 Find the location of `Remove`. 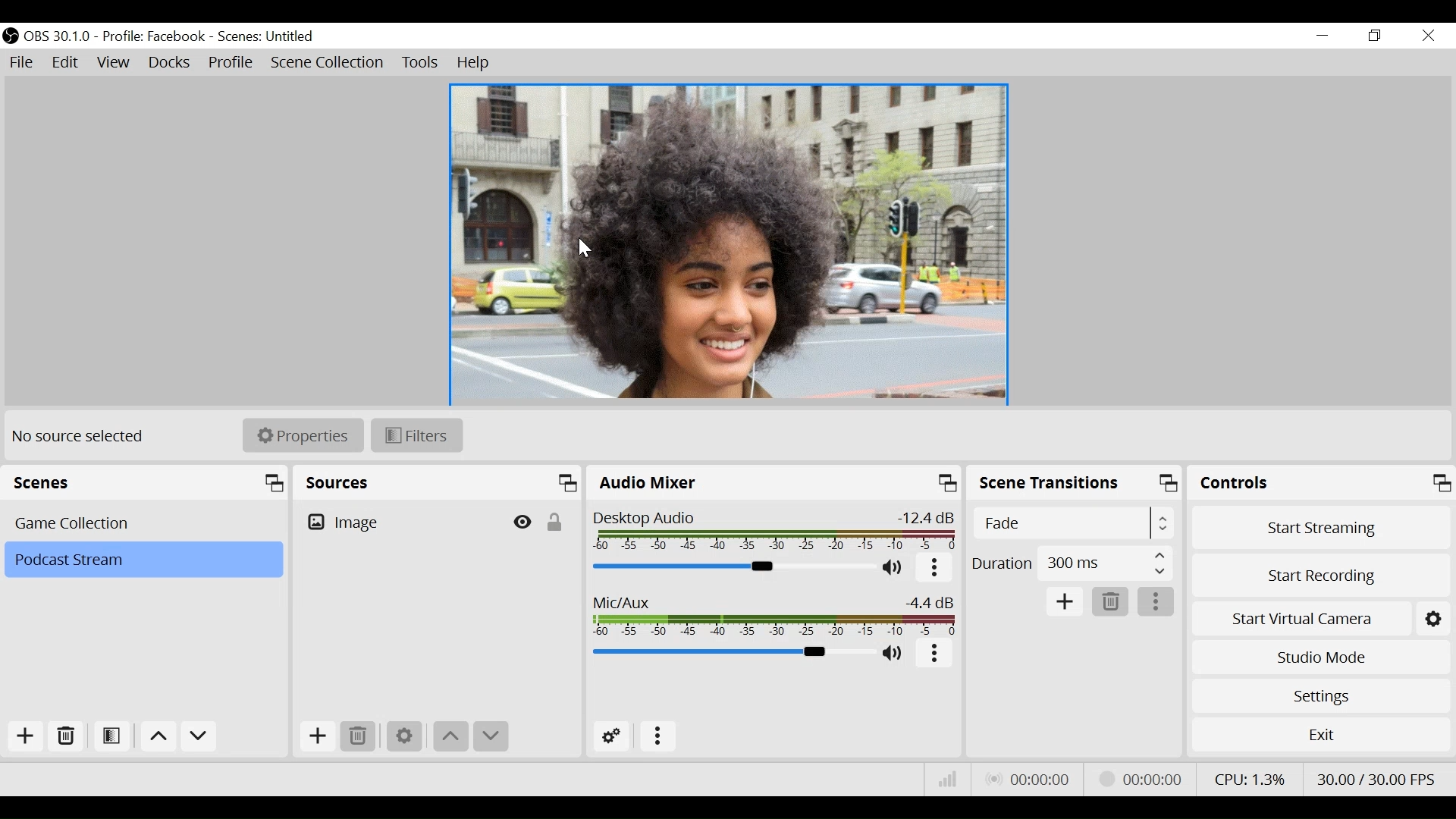

Remove is located at coordinates (1112, 602).